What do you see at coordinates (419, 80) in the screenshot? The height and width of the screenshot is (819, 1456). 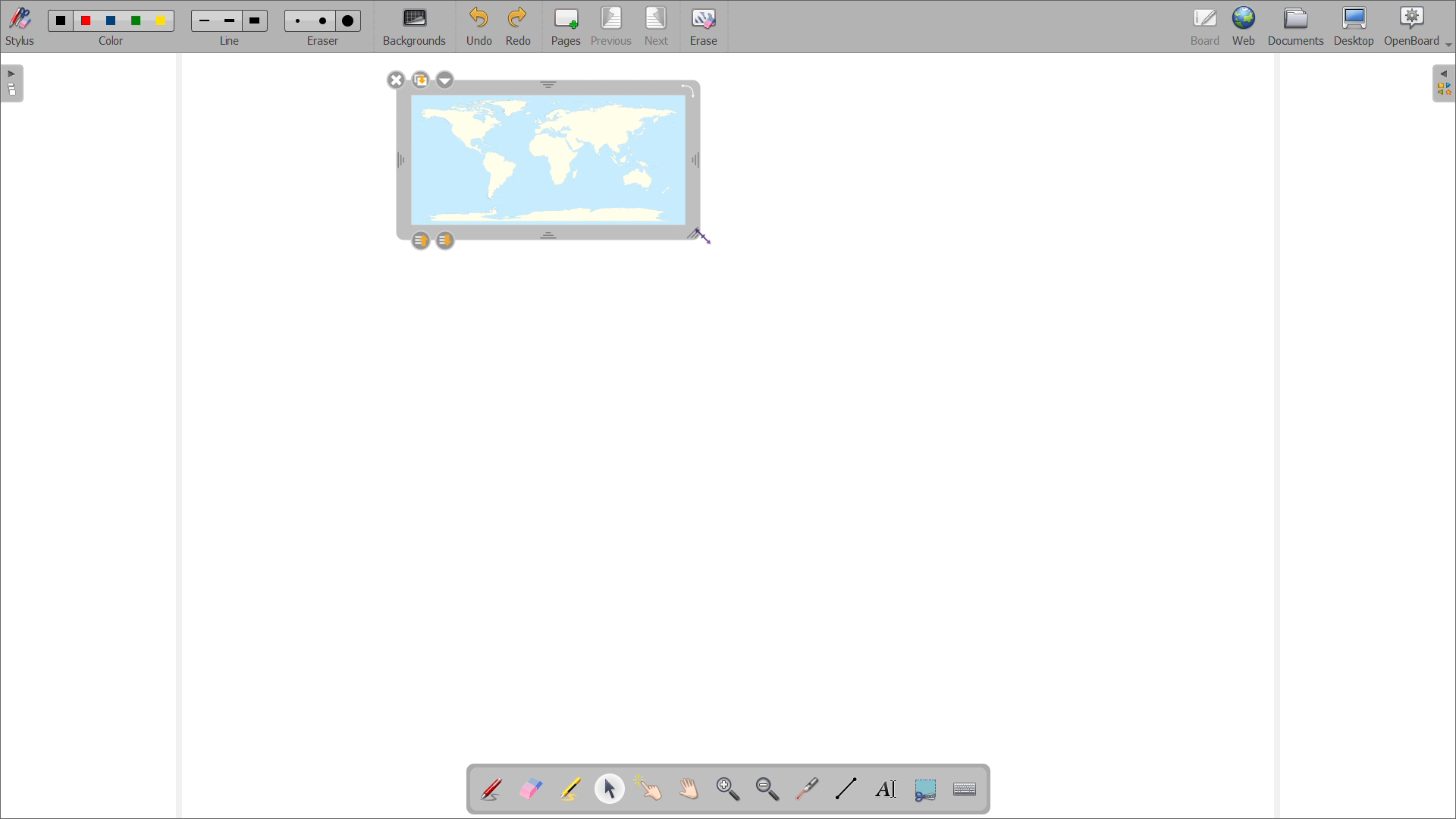 I see `duplicate` at bounding box center [419, 80].